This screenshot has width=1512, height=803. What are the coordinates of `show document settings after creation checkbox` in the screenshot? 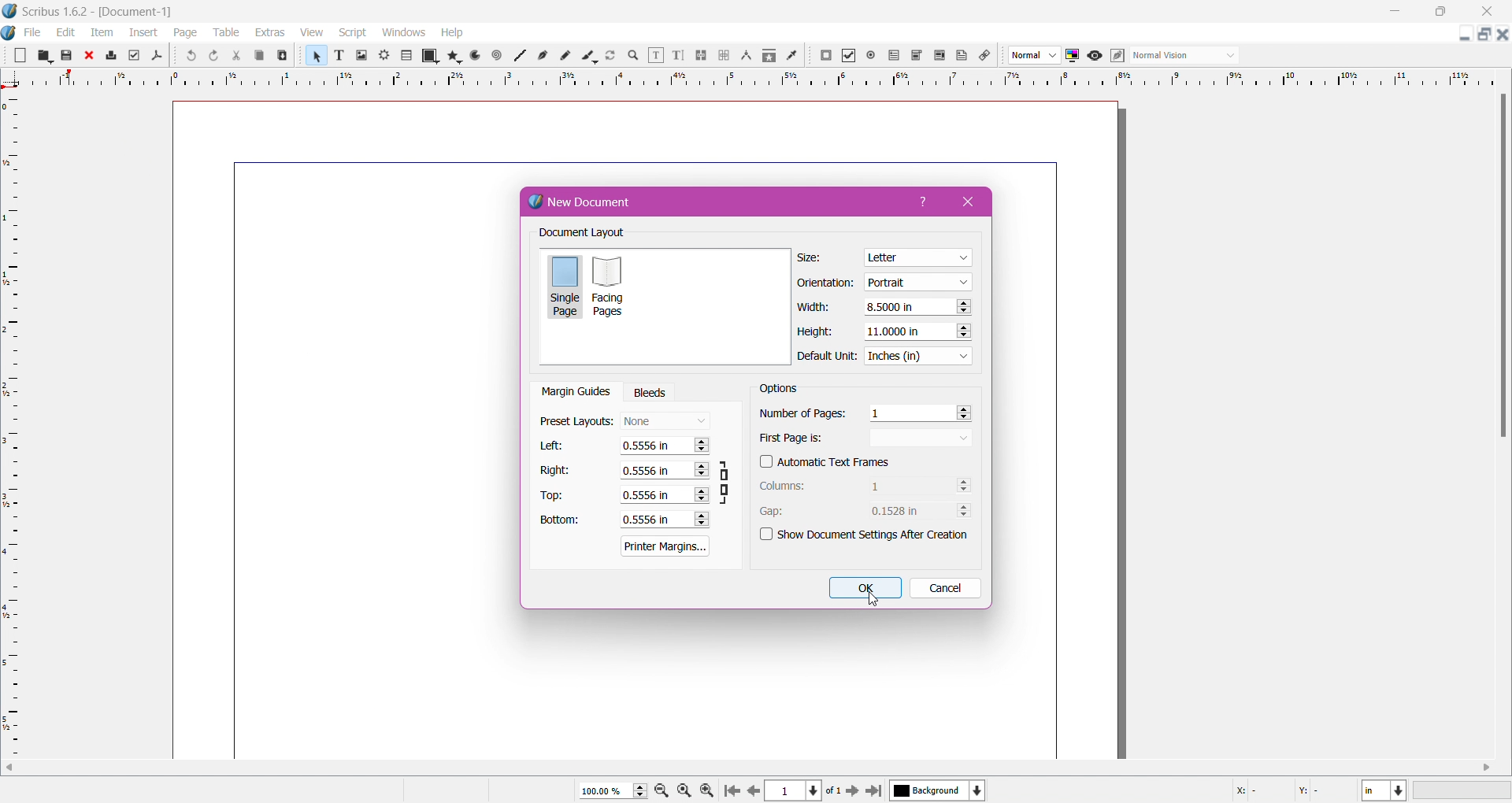 It's located at (873, 536).